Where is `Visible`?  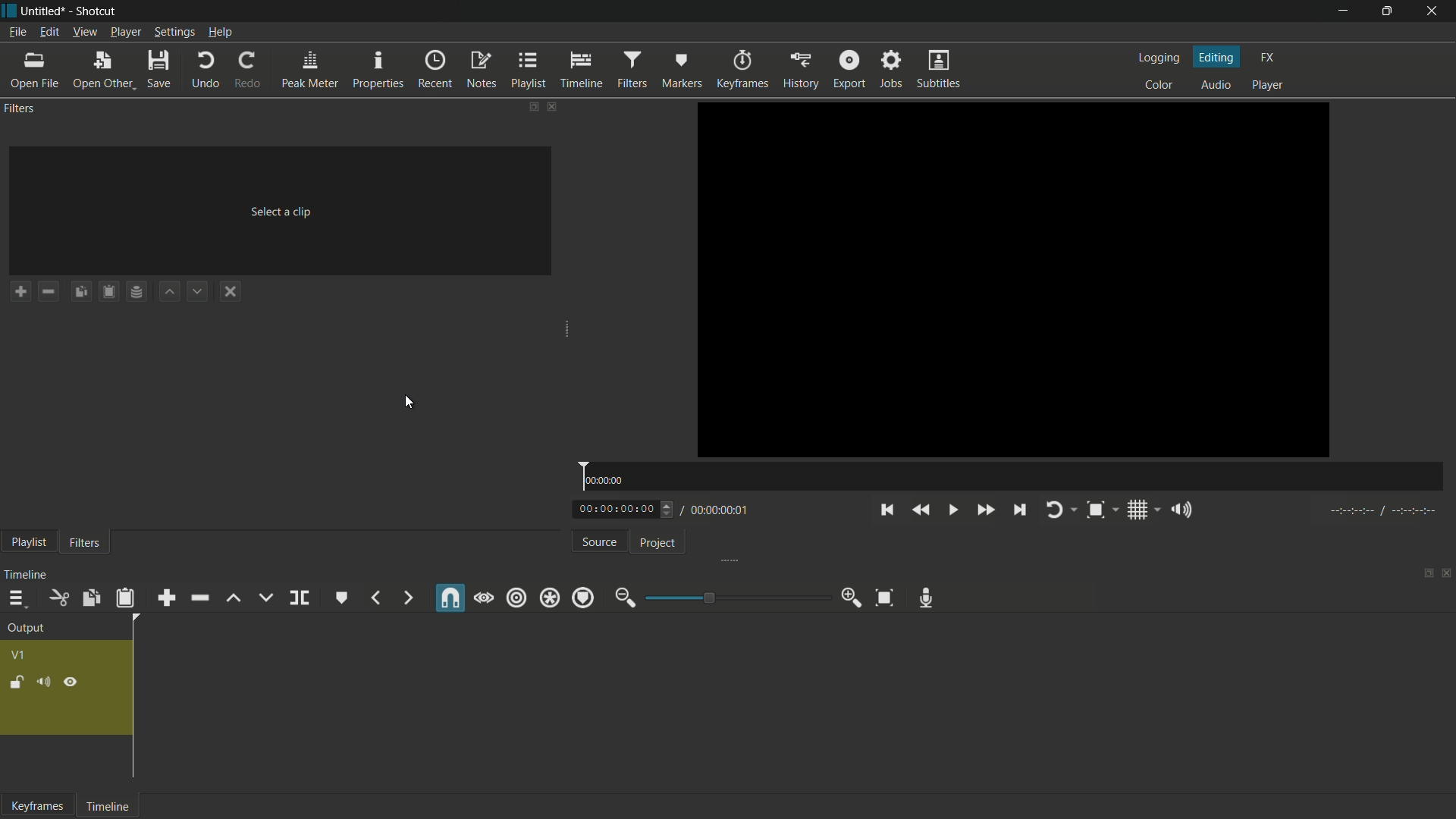
Visible is located at coordinates (485, 600).